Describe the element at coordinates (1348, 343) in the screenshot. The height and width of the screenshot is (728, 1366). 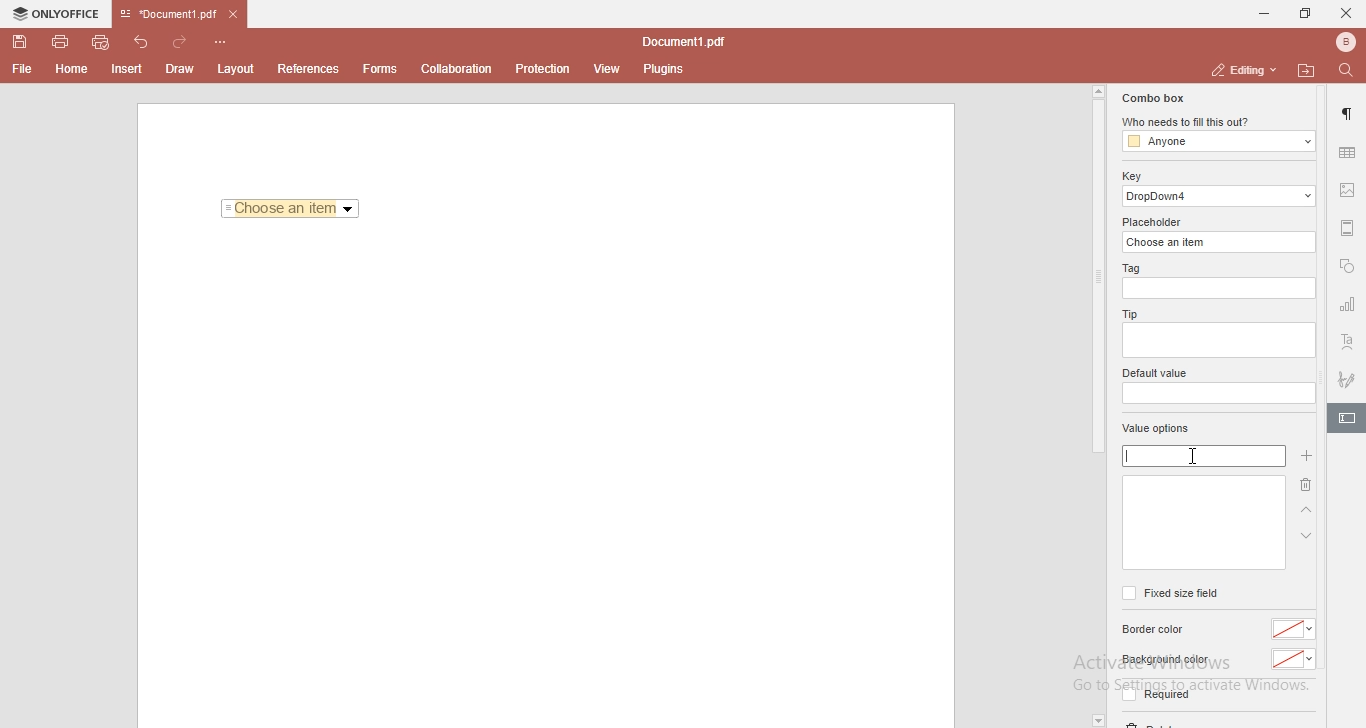
I see `text` at that location.